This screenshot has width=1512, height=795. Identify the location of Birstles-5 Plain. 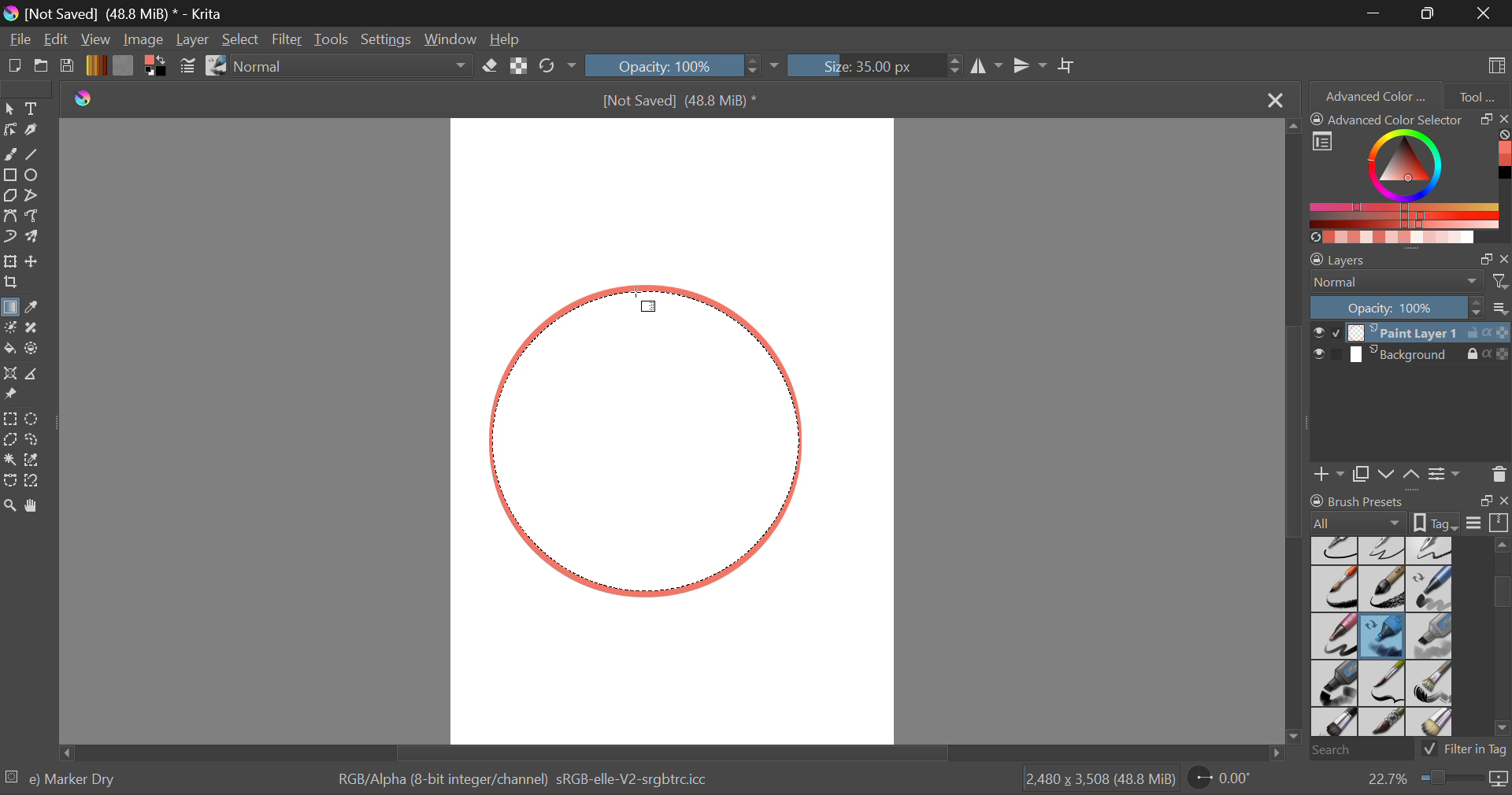
(1433, 723).